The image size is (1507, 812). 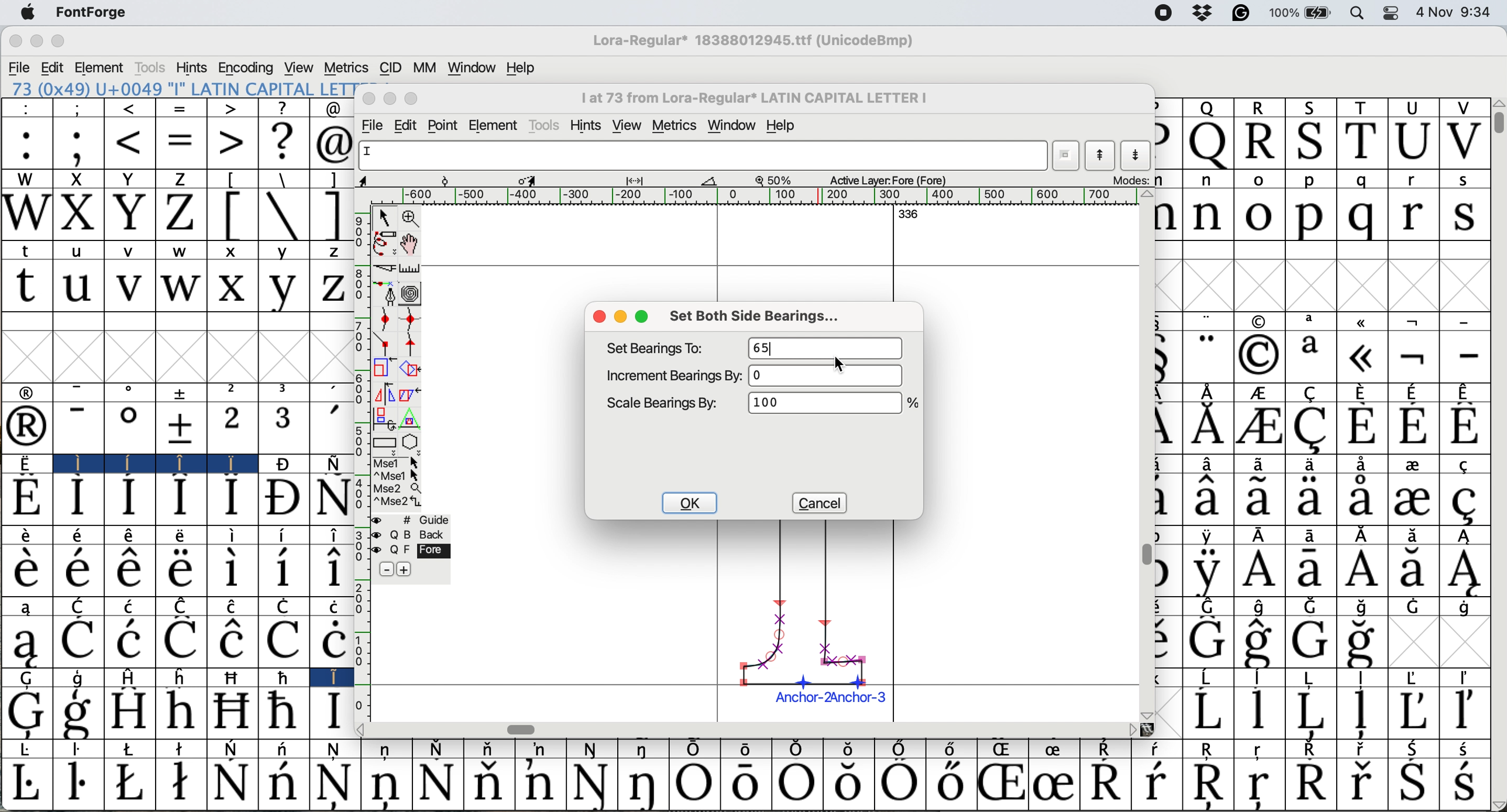 What do you see at coordinates (130, 144) in the screenshot?
I see `<` at bounding box center [130, 144].